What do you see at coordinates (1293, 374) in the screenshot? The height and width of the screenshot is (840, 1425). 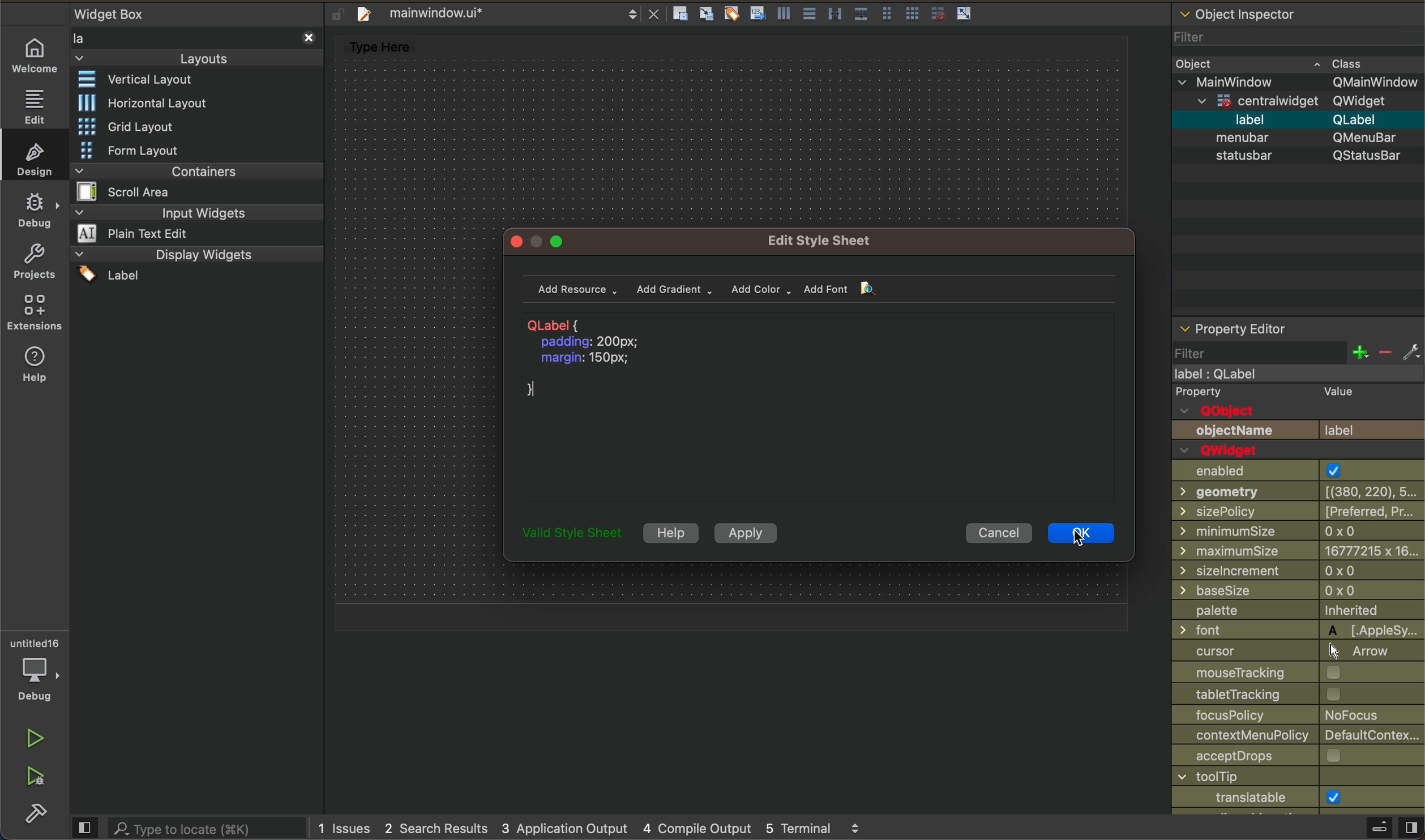 I see `main window` at bounding box center [1293, 374].